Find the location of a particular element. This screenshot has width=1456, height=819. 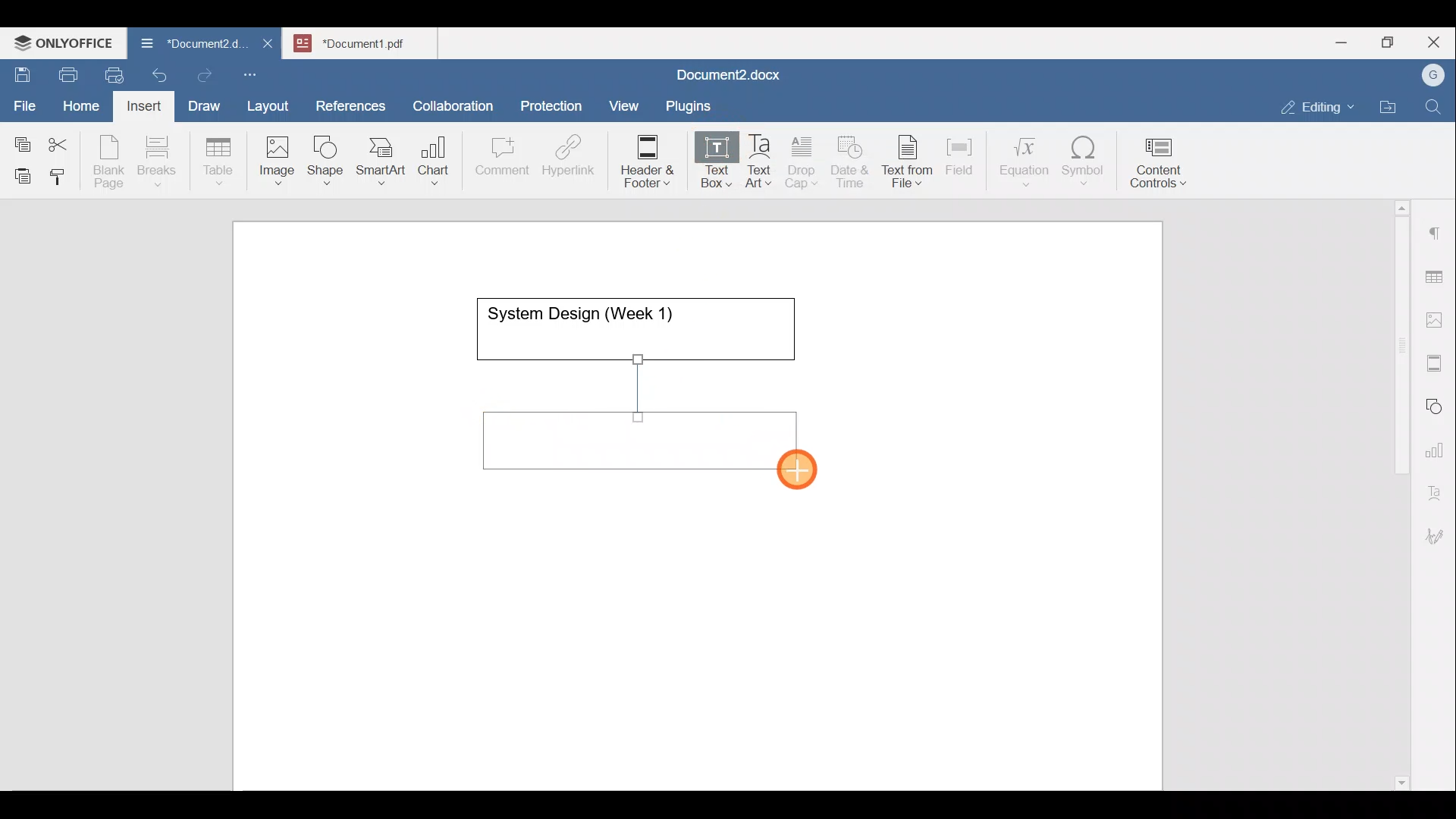

Redo is located at coordinates (204, 76).